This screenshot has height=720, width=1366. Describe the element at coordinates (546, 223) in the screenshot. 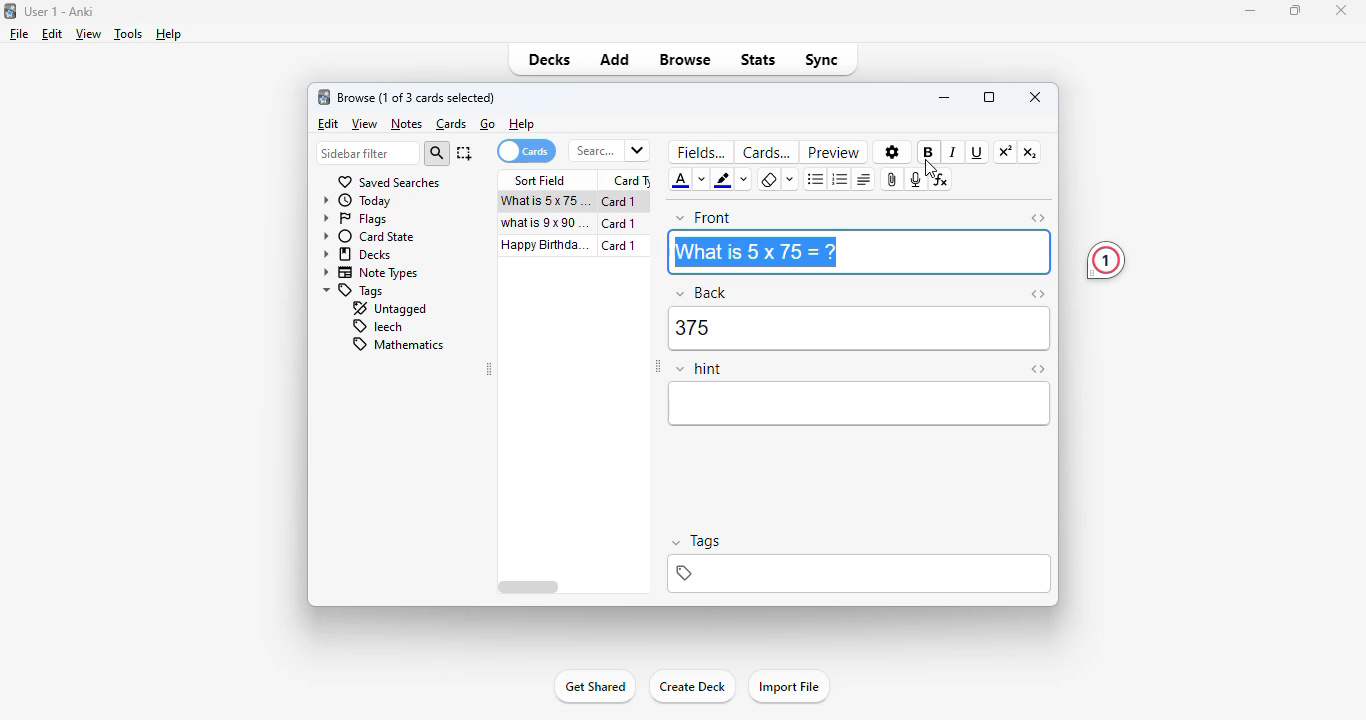

I see `what is 9x90=?` at that location.